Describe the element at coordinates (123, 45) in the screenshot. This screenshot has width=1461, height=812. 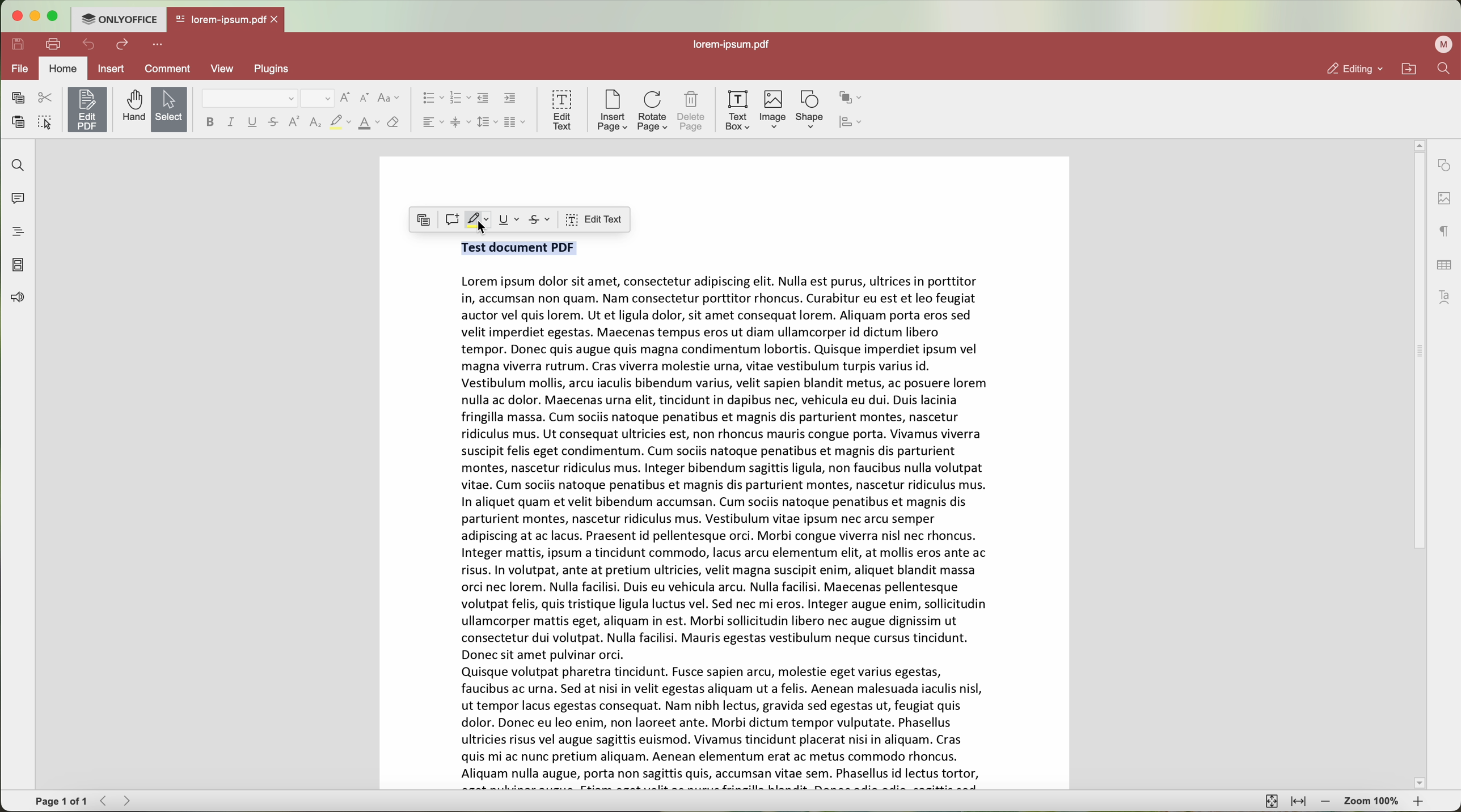
I see `redo` at that location.